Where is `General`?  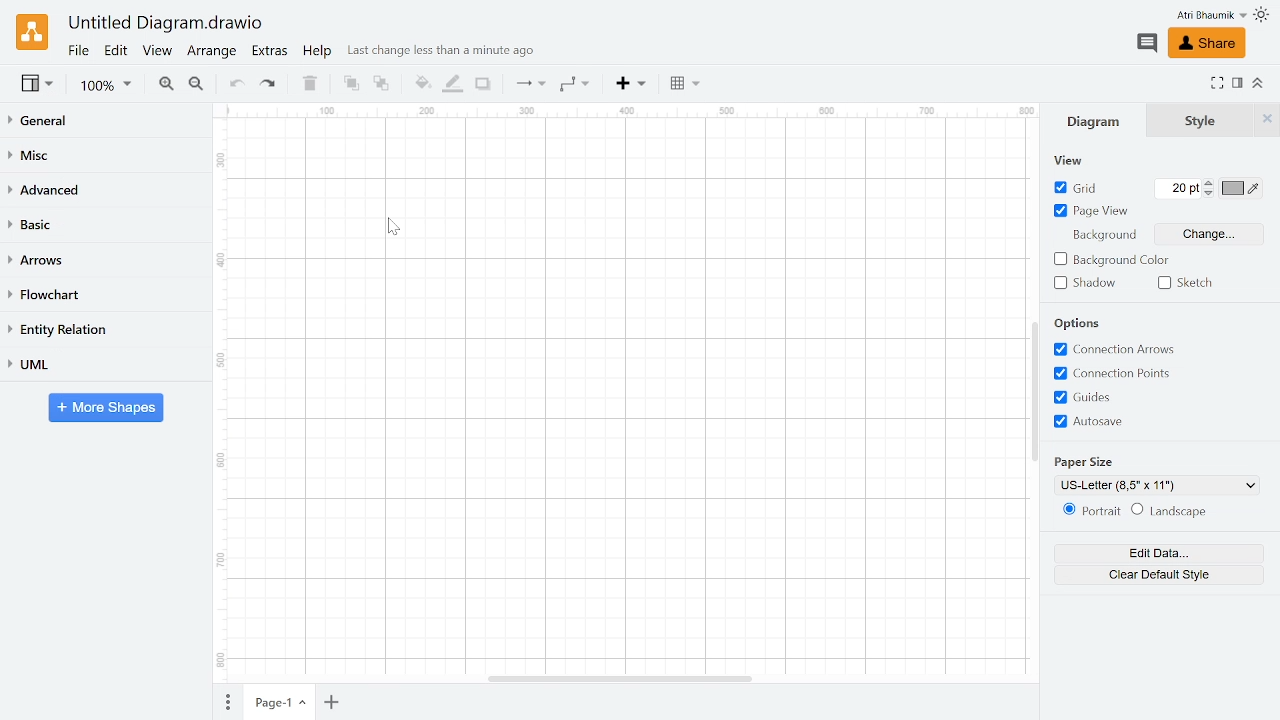
General is located at coordinates (102, 120).